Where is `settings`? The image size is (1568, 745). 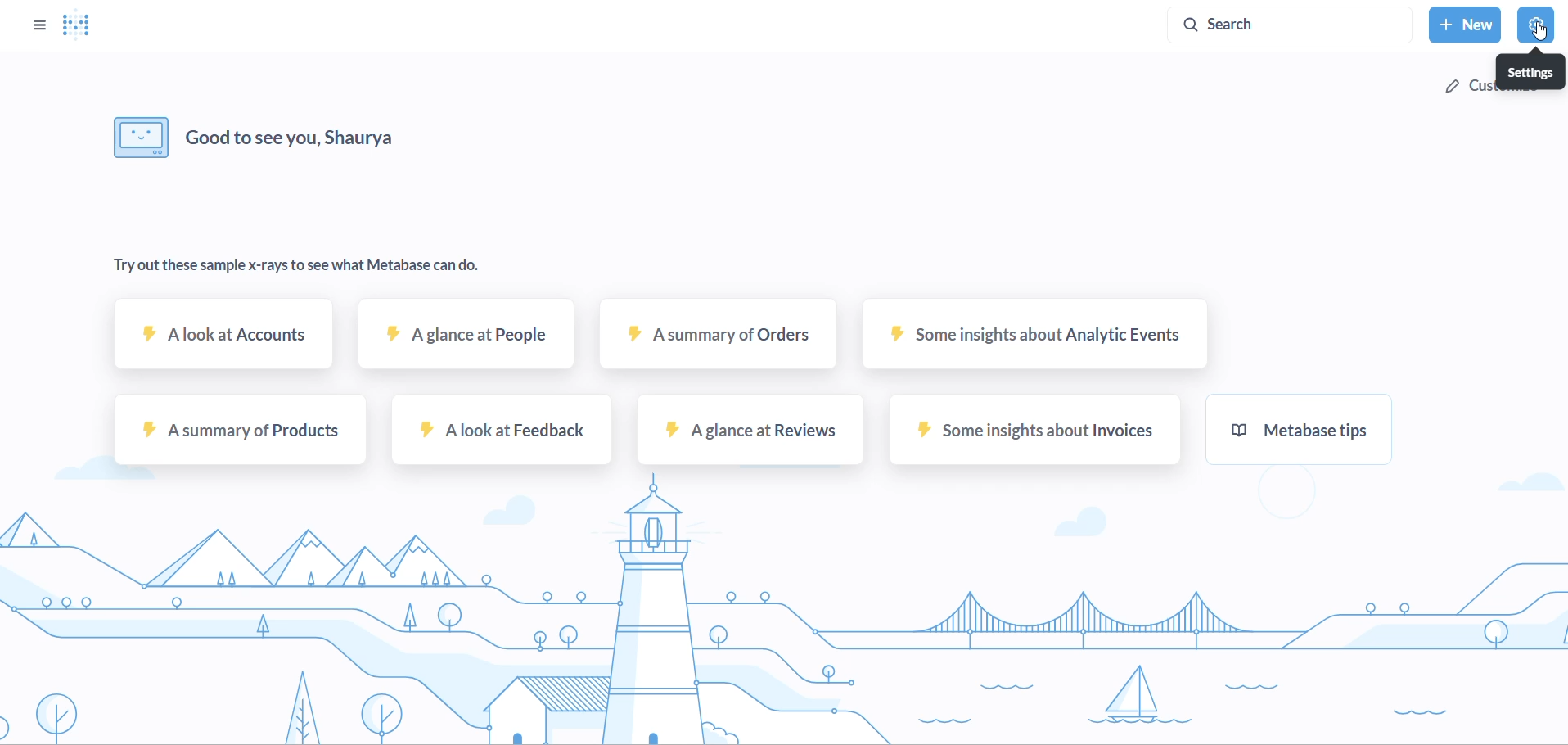 settings is located at coordinates (1531, 72).